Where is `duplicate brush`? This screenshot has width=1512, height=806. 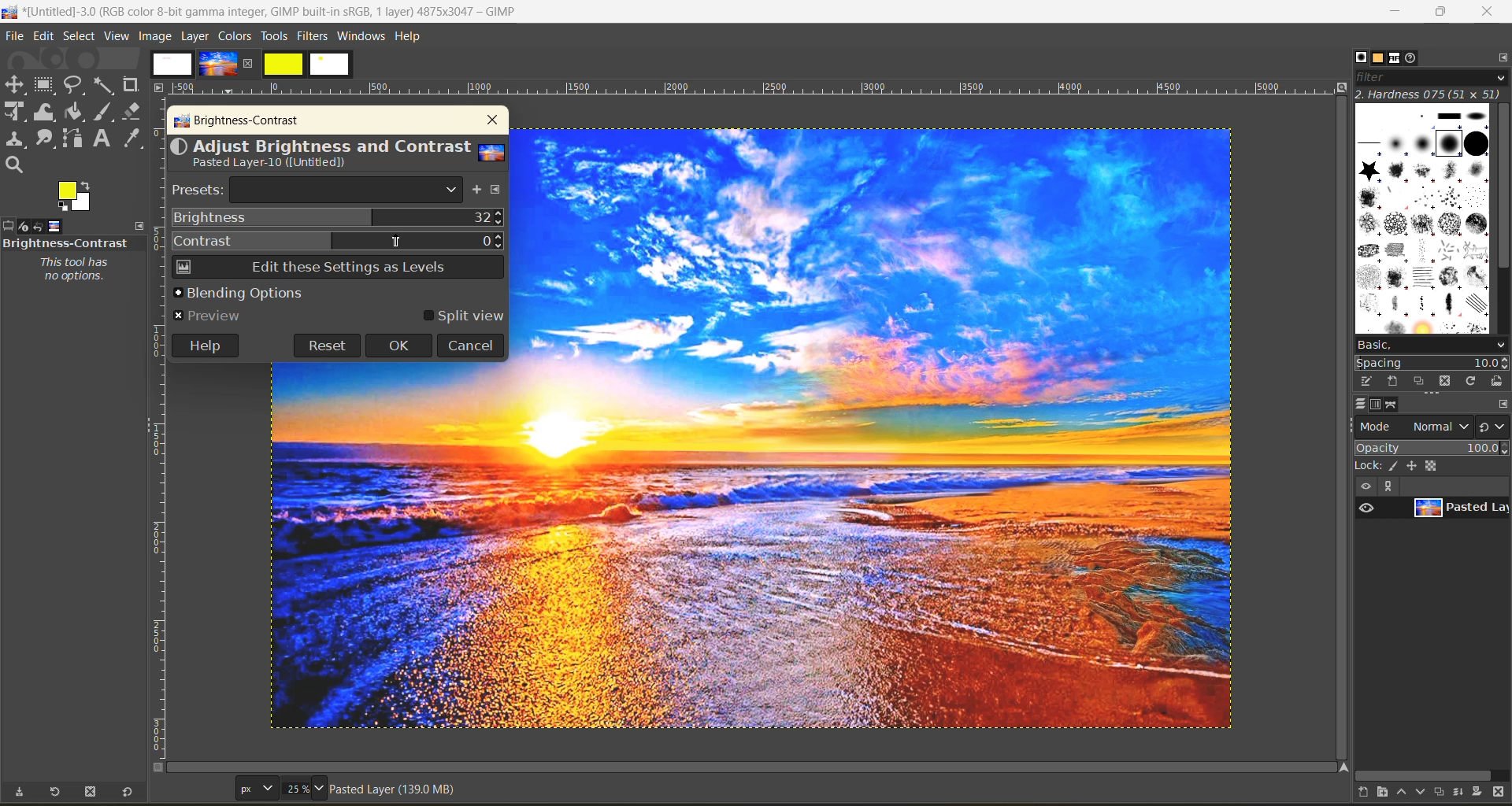 duplicate brush is located at coordinates (1421, 382).